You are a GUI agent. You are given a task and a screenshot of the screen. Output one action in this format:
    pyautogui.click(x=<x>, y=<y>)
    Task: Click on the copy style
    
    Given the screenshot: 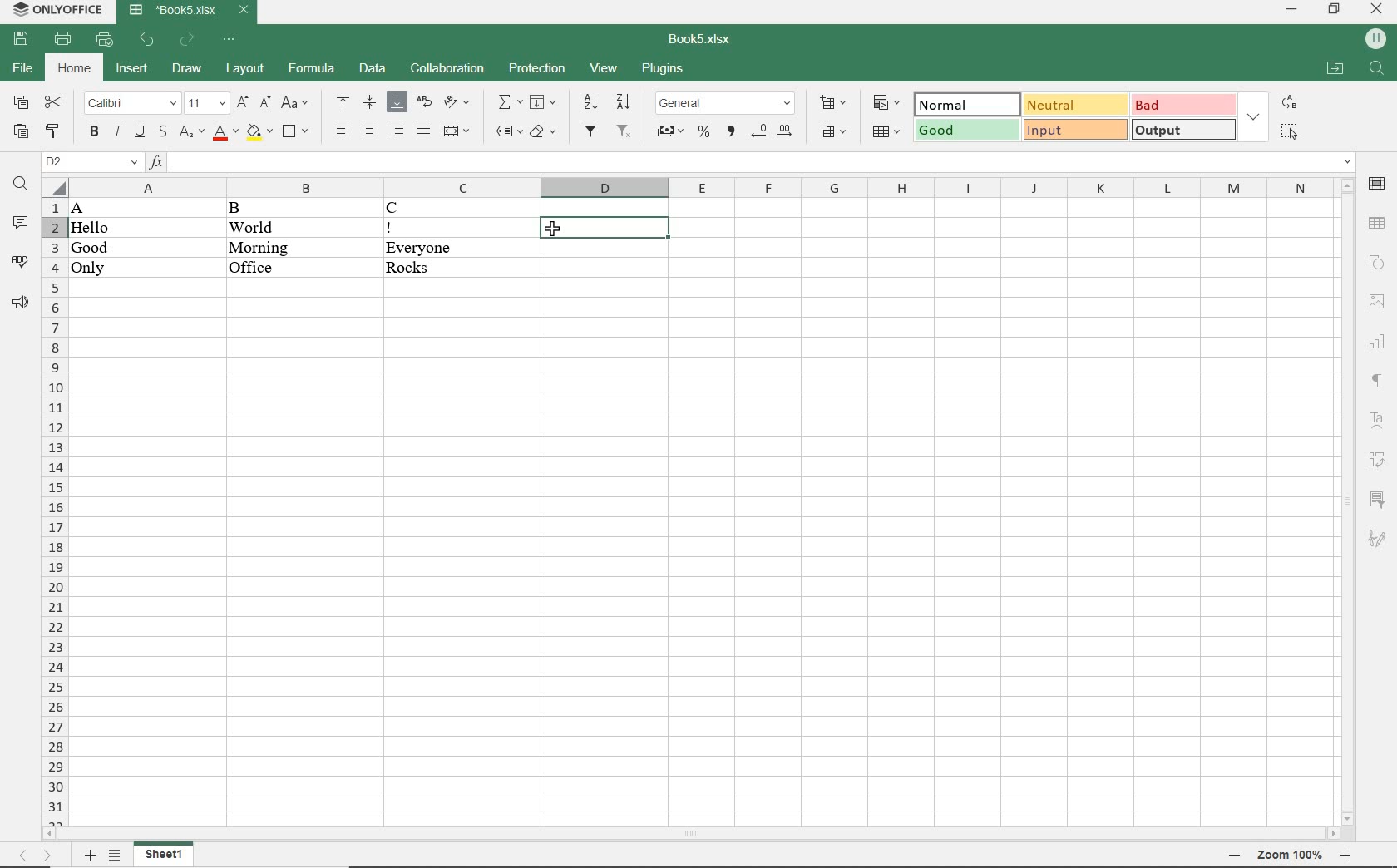 What is the action you would take?
    pyautogui.click(x=52, y=133)
    